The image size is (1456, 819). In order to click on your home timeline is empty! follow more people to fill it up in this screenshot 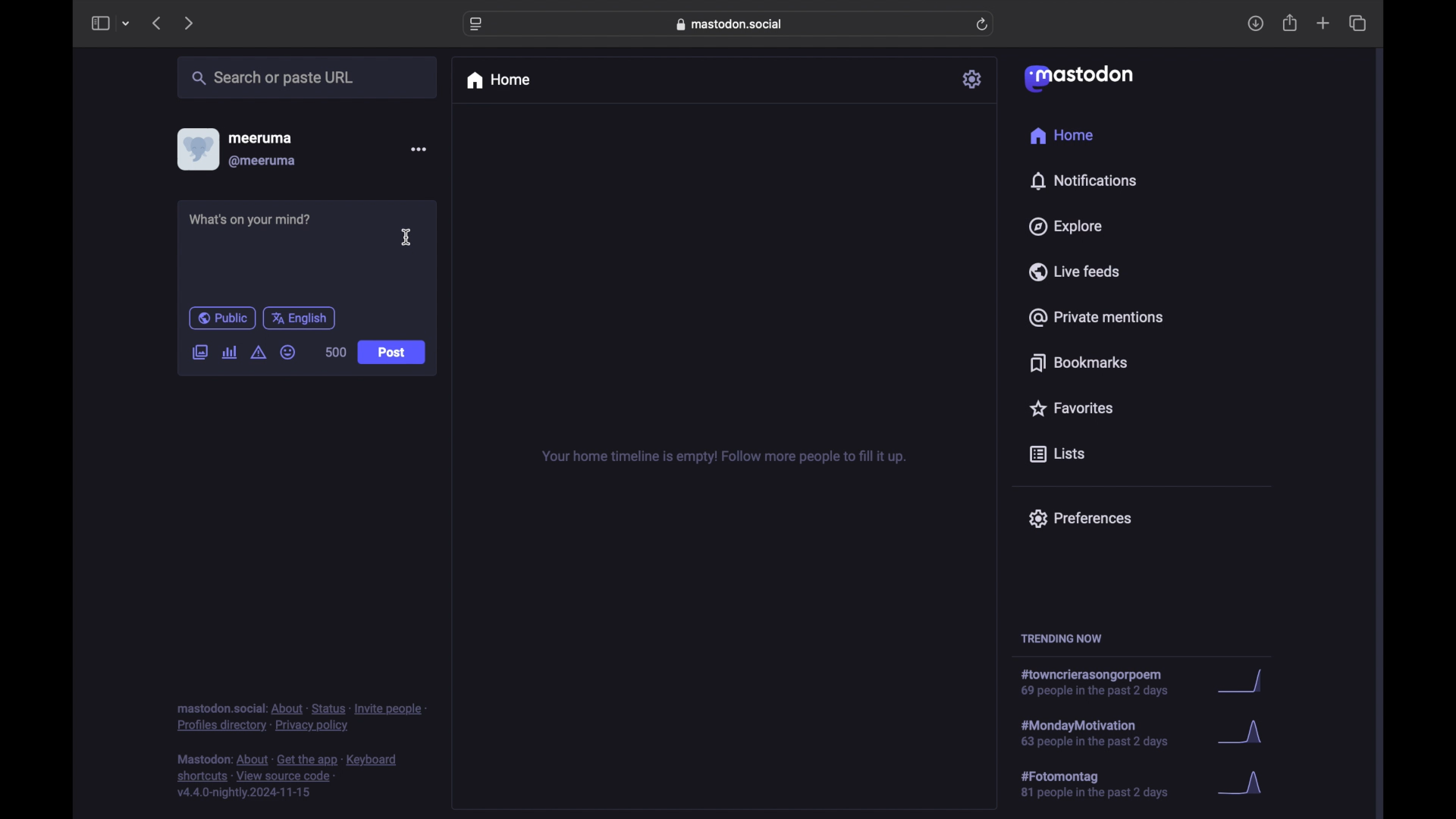, I will do `click(723, 457)`.